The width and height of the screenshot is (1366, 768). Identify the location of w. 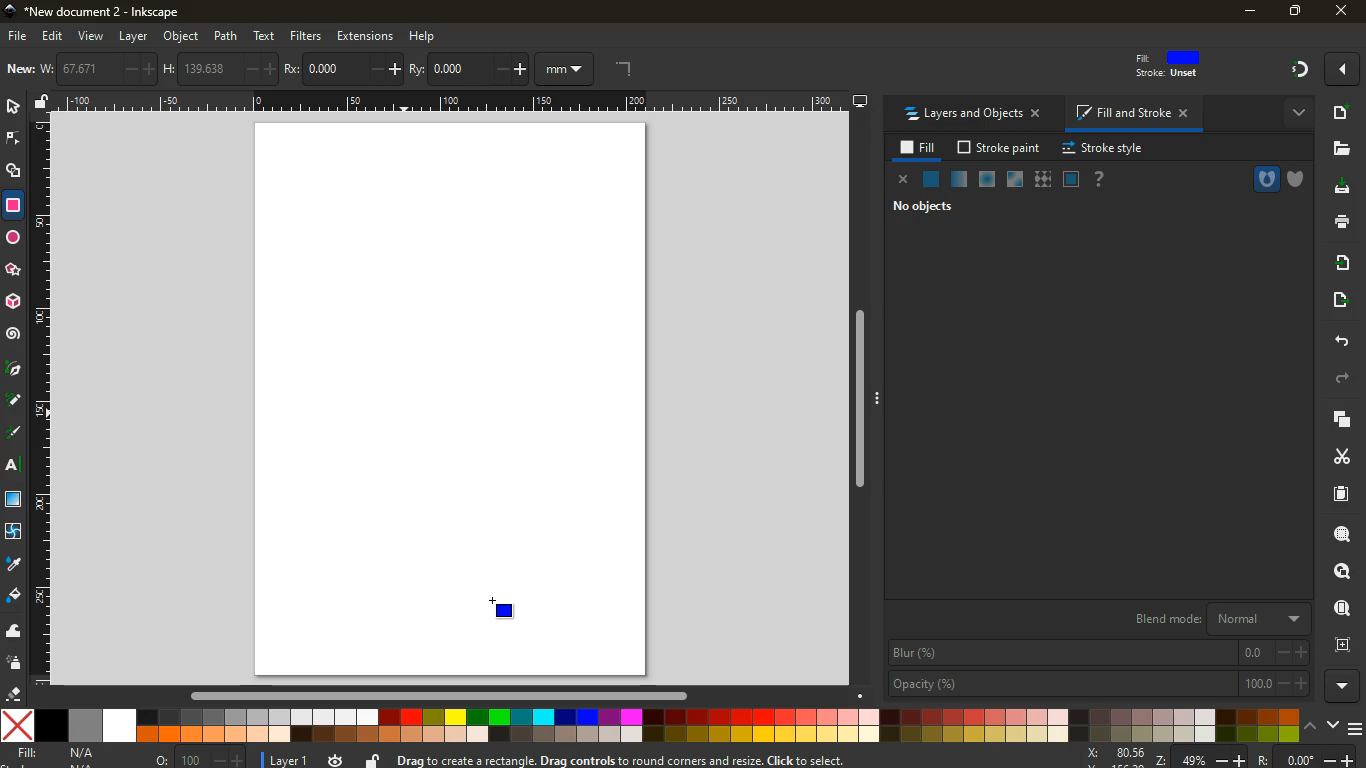
(99, 69).